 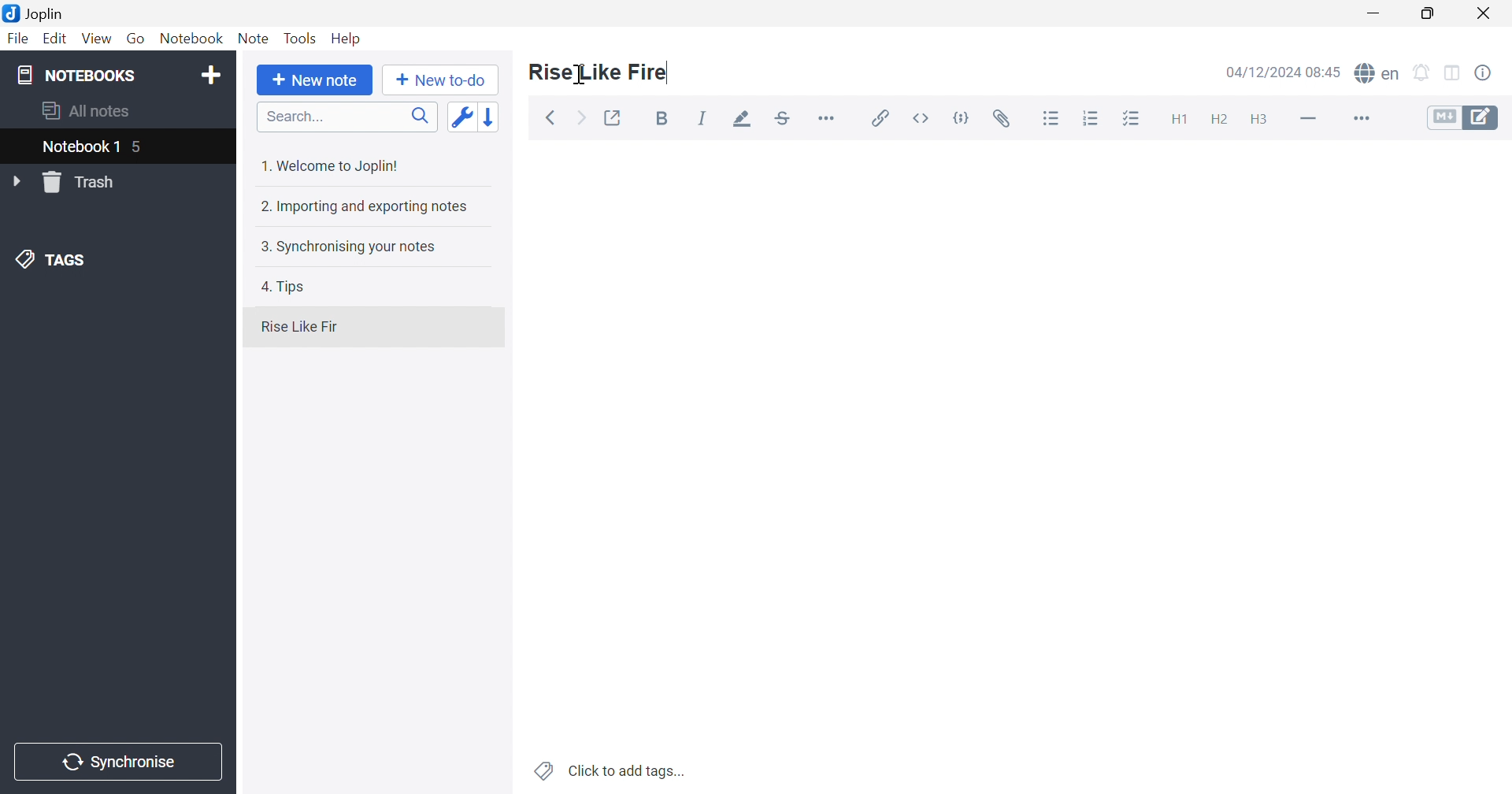 I want to click on Spell checker, so click(x=1380, y=72).